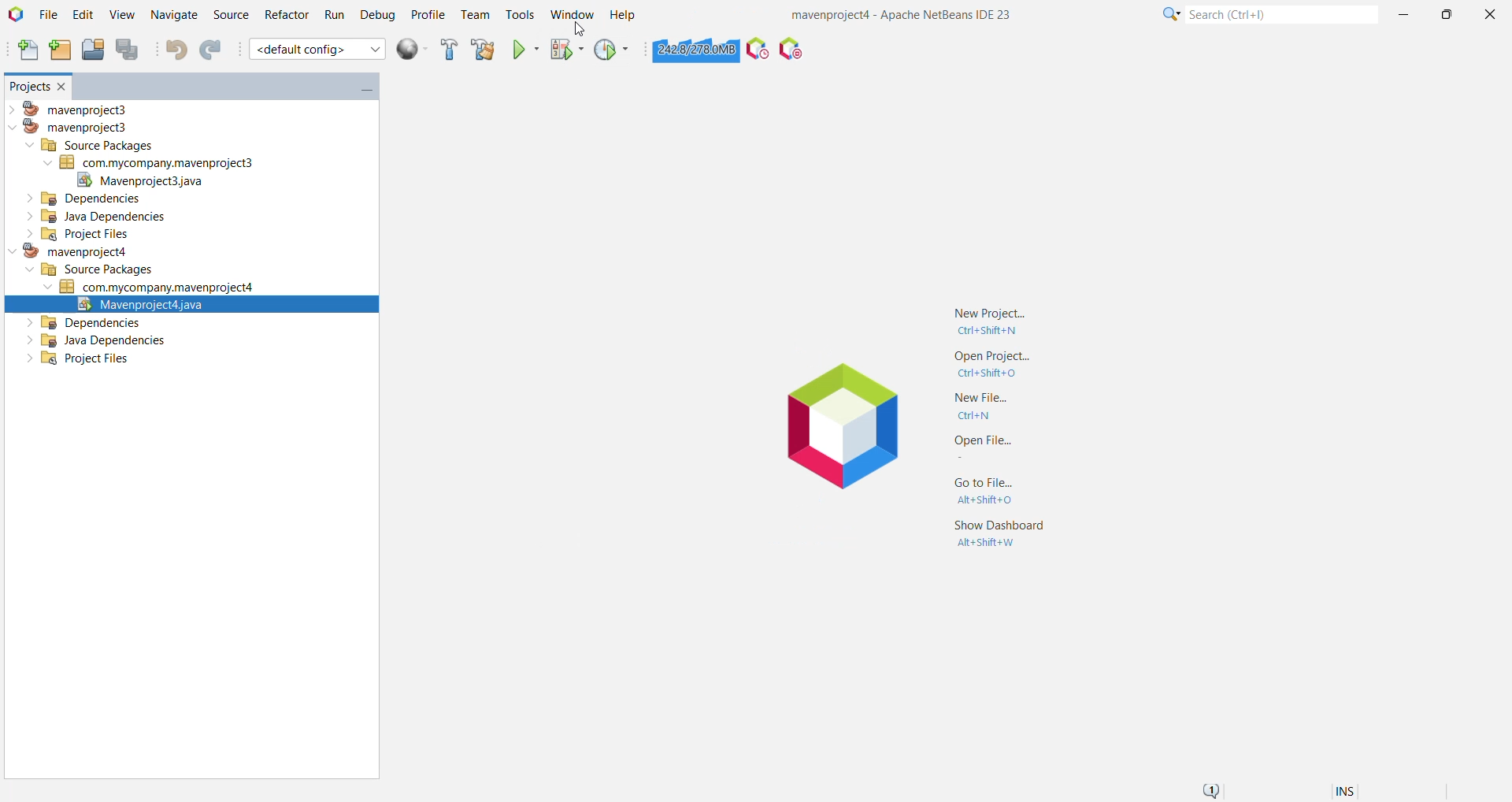 This screenshot has width=1512, height=802. Describe the element at coordinates (1003, 534) in the screenshot. I see `Show Dashboard` at that location.